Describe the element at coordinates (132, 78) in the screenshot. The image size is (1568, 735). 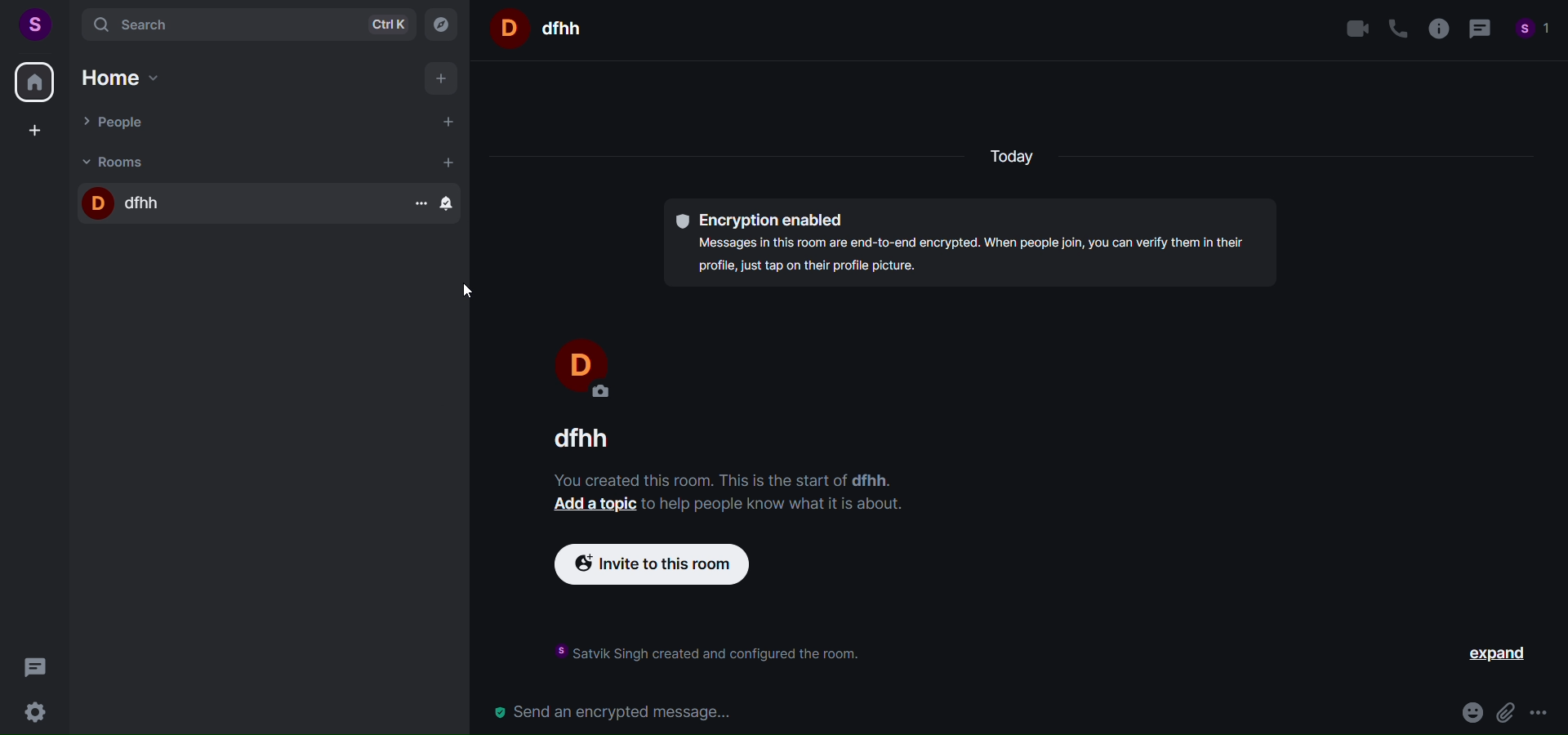
I see `home` at that location.